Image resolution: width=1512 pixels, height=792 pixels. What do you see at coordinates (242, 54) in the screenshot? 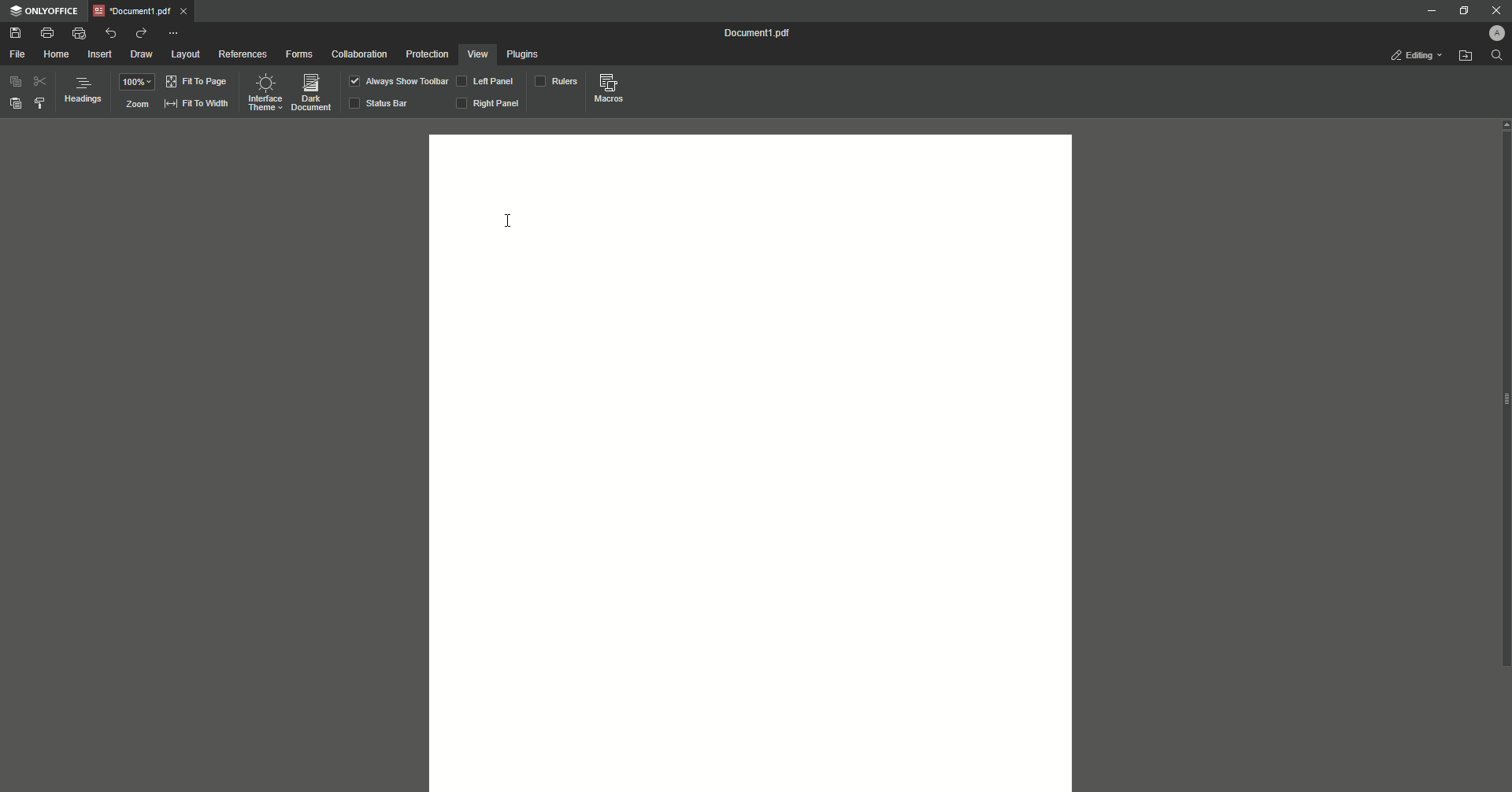
I see `References` at bounding box center [242, 54].